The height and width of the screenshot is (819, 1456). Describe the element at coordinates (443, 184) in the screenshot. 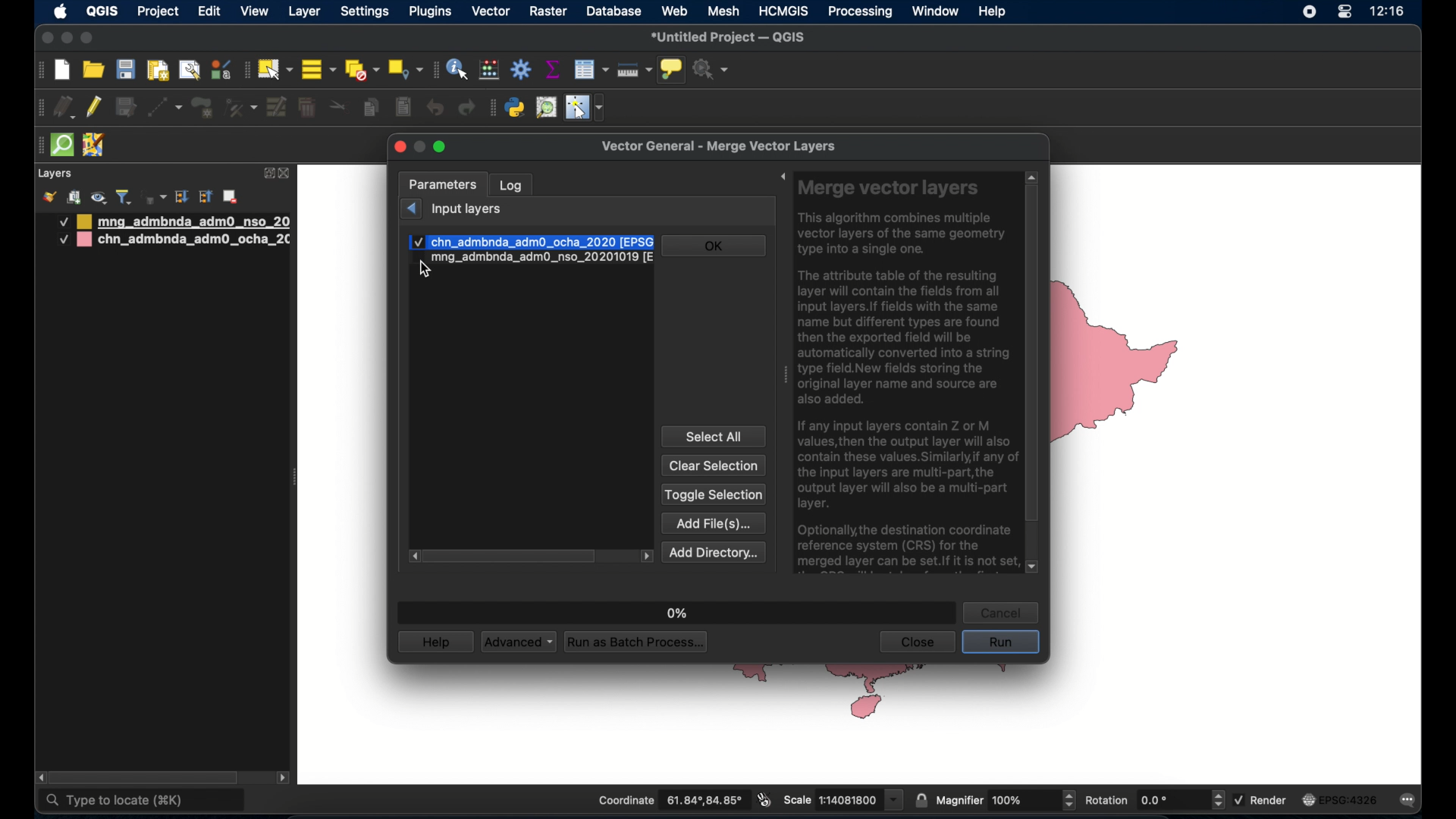

I see `parameters` at that location.